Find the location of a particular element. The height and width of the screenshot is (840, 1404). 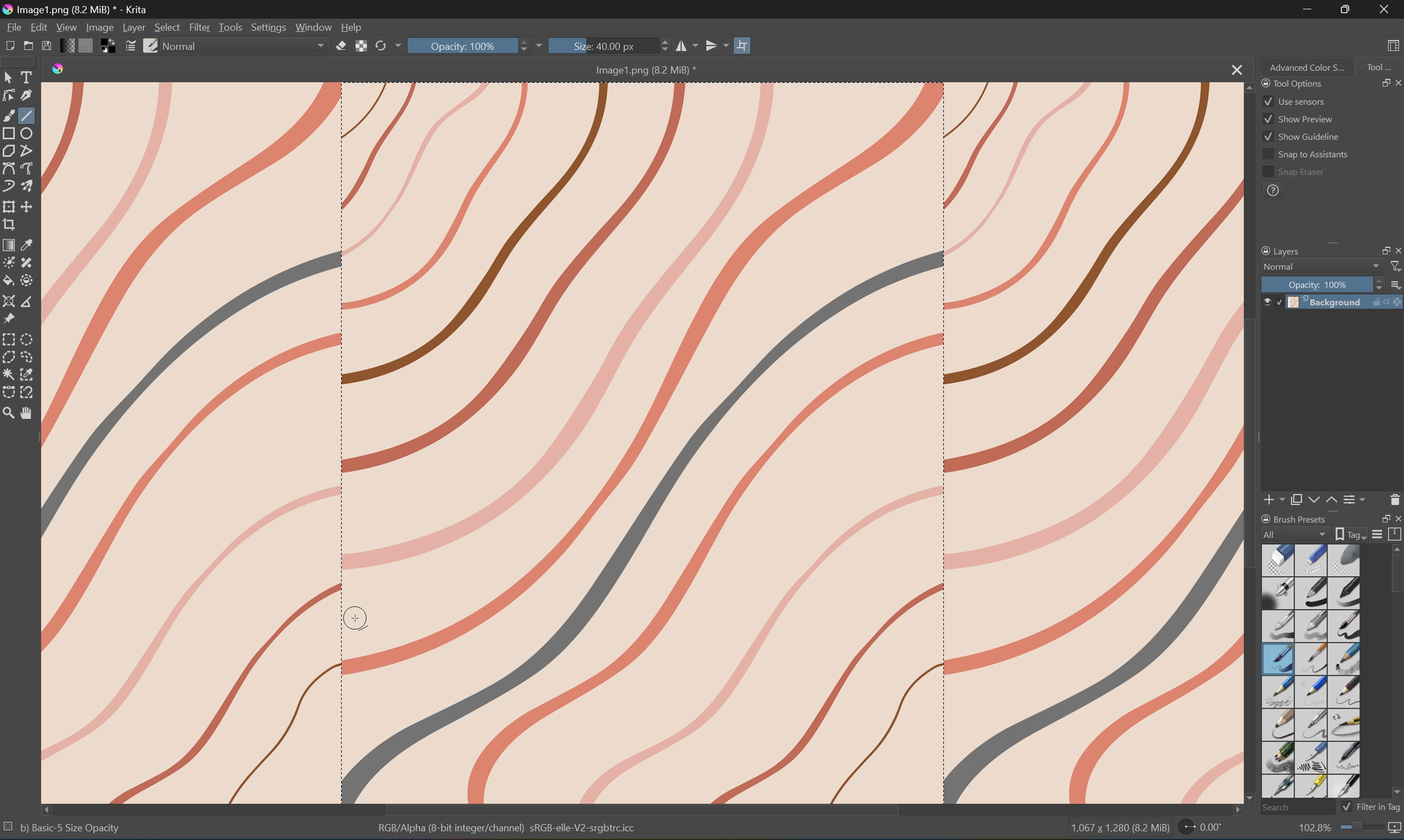

Restore Down is located at coordinates (1378, 250).